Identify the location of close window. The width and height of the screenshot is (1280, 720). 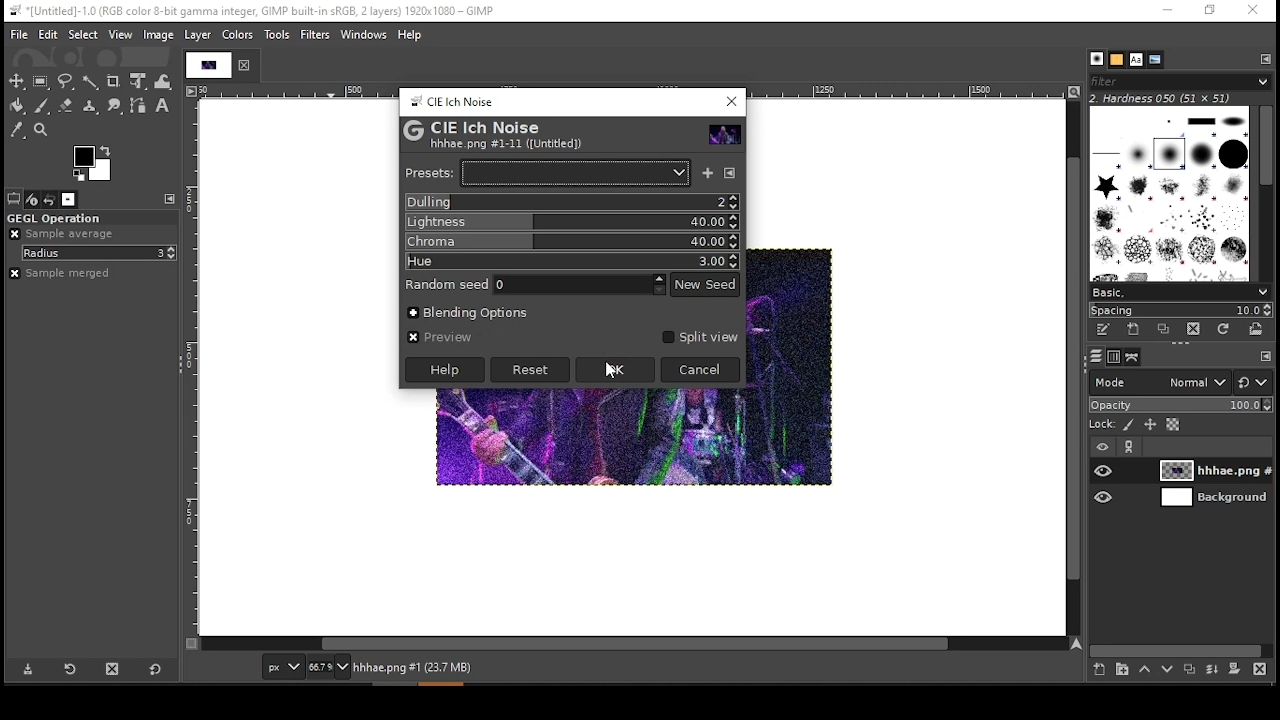
(1254, 11).